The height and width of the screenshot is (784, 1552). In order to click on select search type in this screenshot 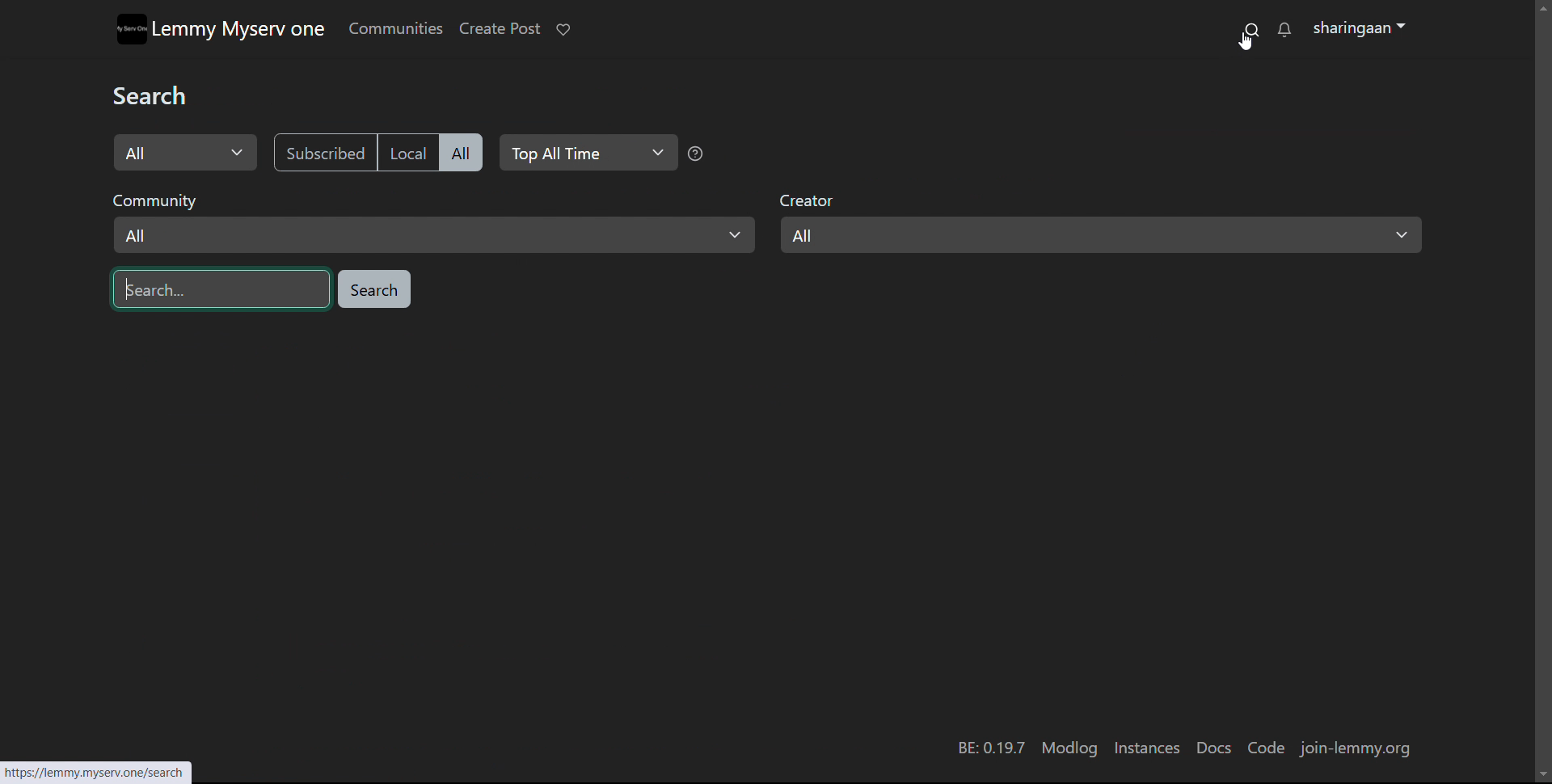, I will do `click(186, 152)`.